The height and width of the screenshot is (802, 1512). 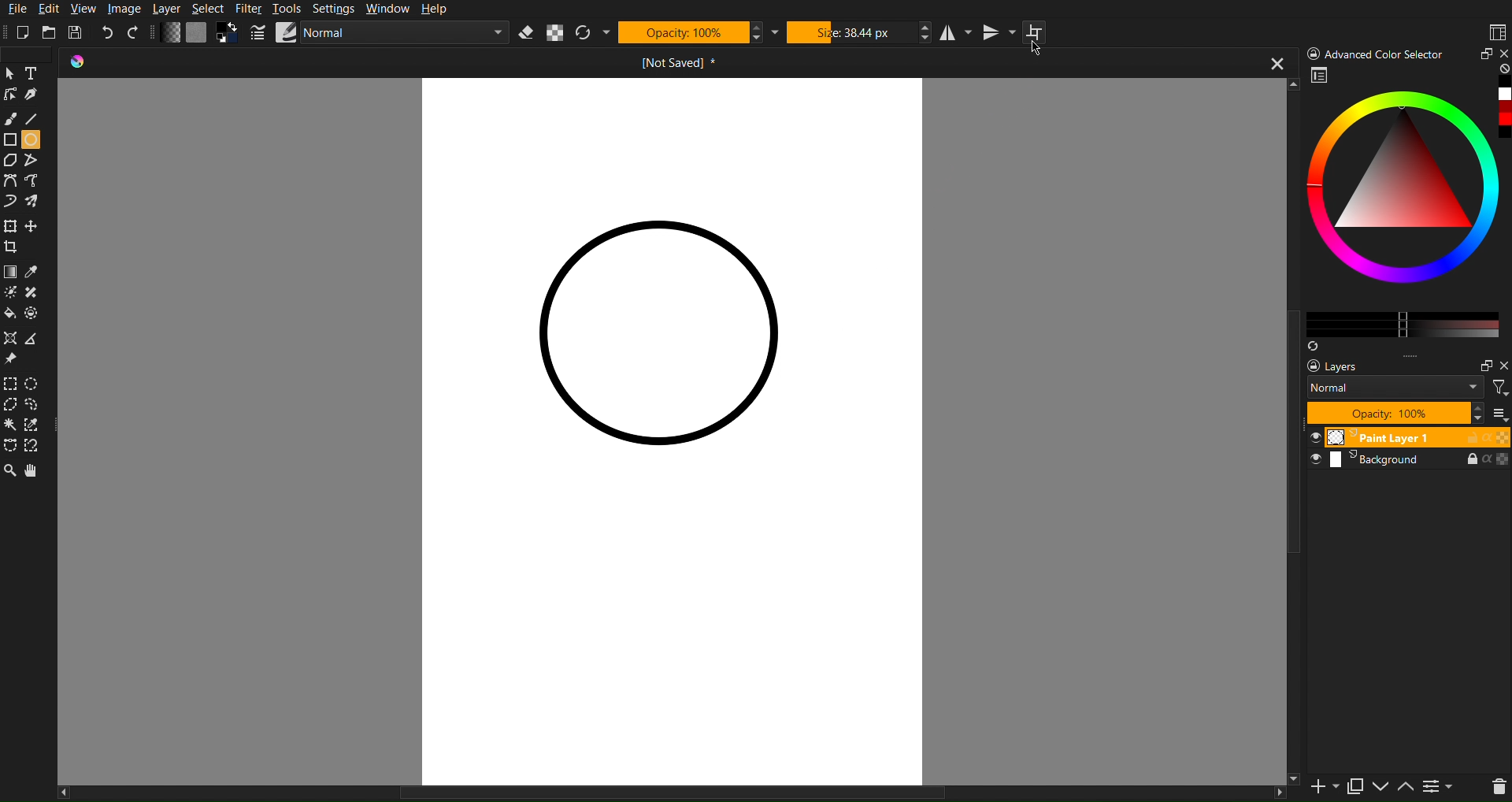 I want to click on Selction polygon, so click(x=11, y=405).